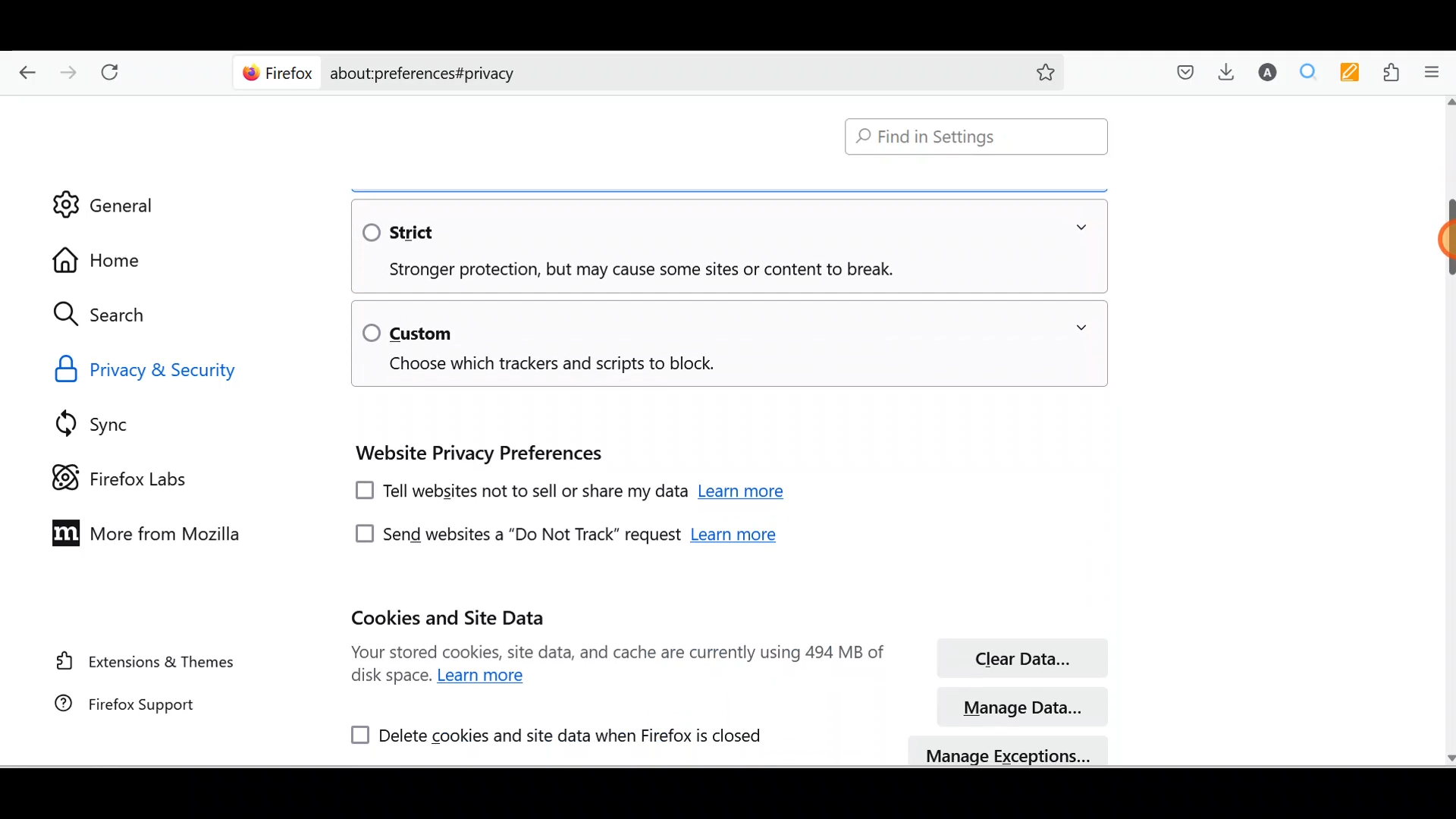 The width and height of the screenshot is (1456, 819). Describe the element at coordinates (106, 314) in the screenshot. I see `Search` at that location.